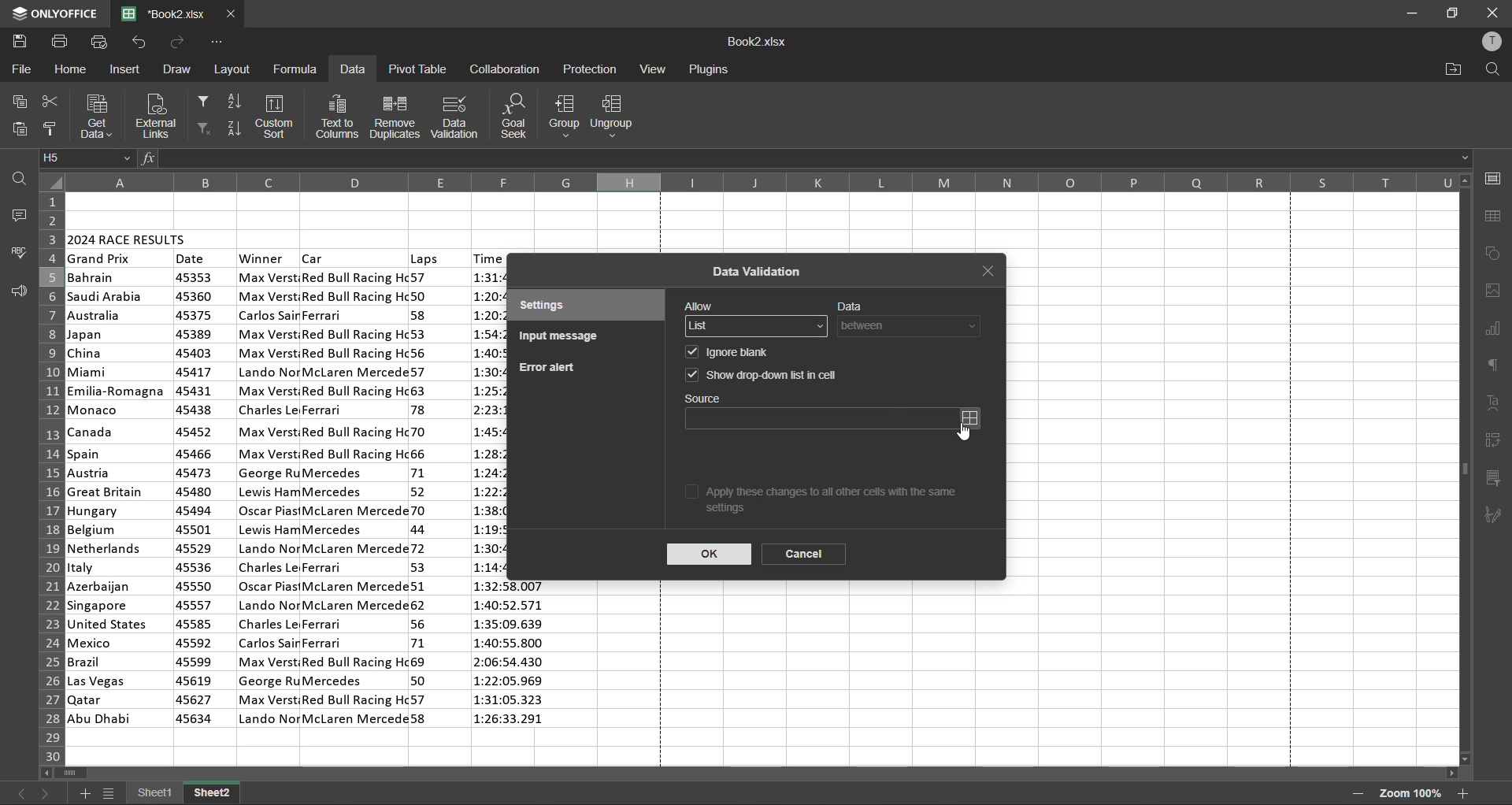 The image size is (1512, 805). I want to click on input message, so click(563, 338).